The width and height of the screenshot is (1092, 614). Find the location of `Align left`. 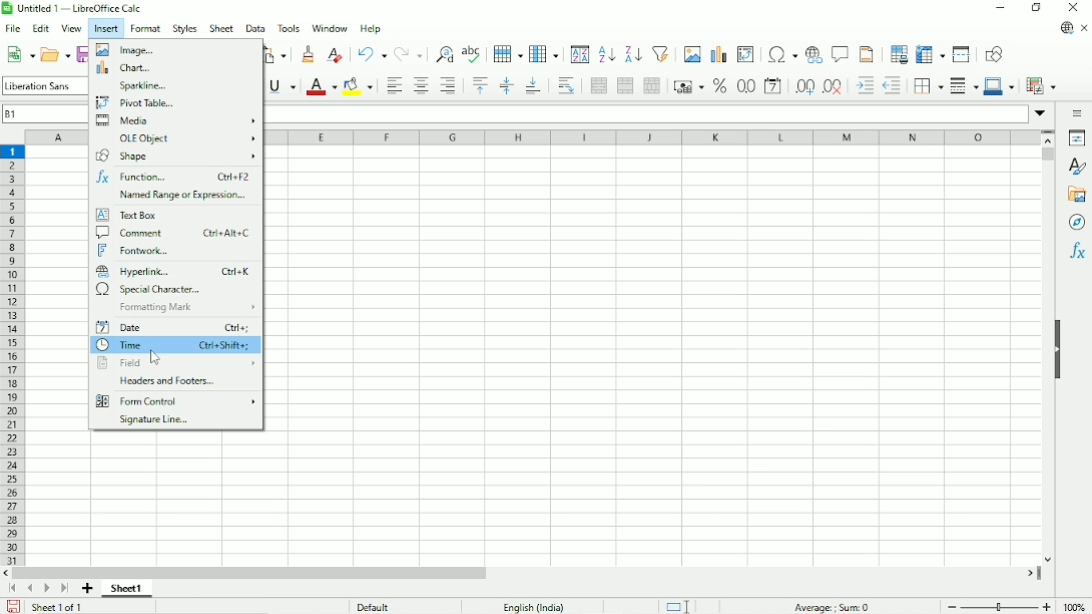

Align left is located at coordinates (392, 86).